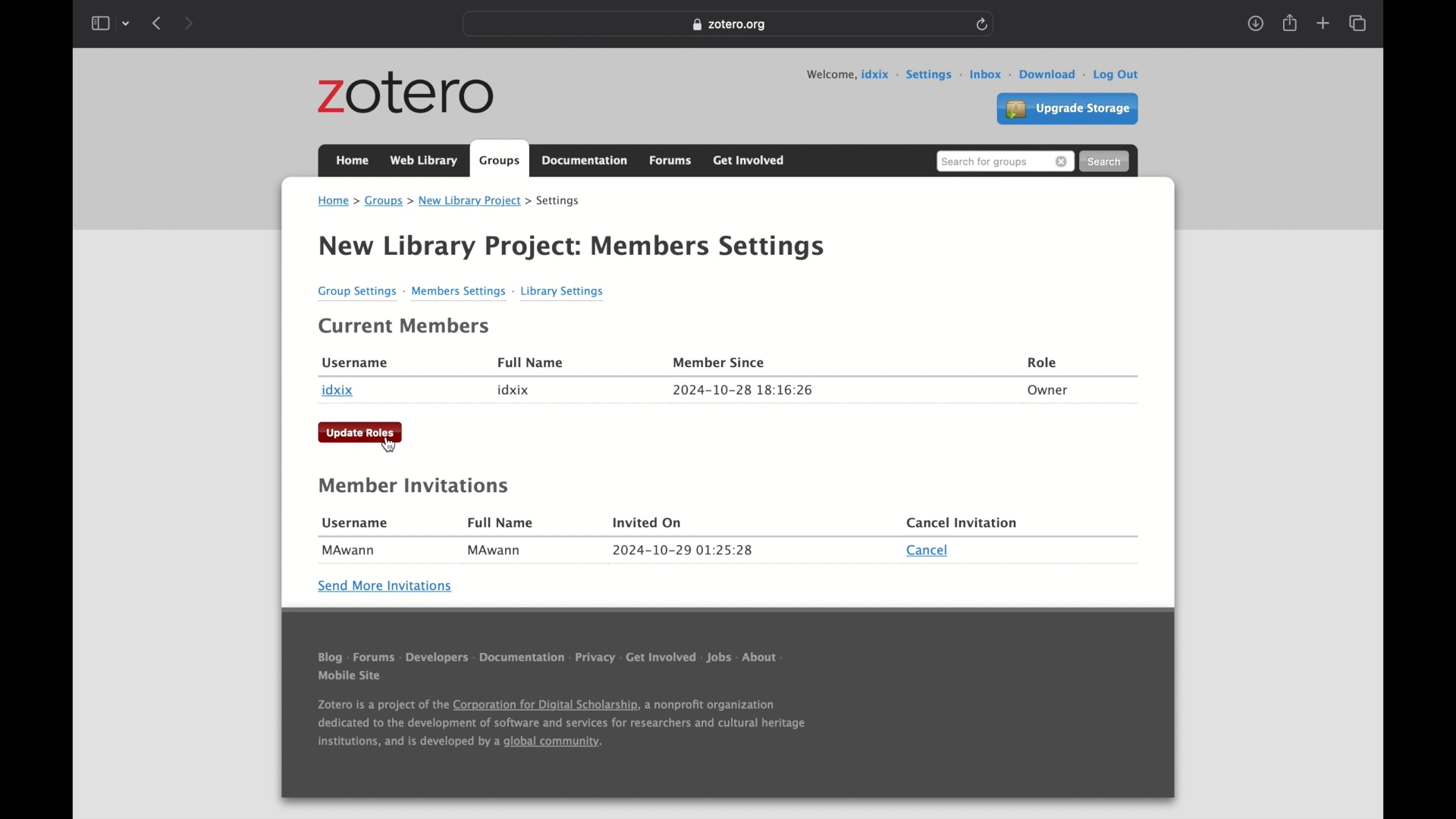 This screenshot has width=1456, height=819. I want to click on new library project, so click(475, 201).